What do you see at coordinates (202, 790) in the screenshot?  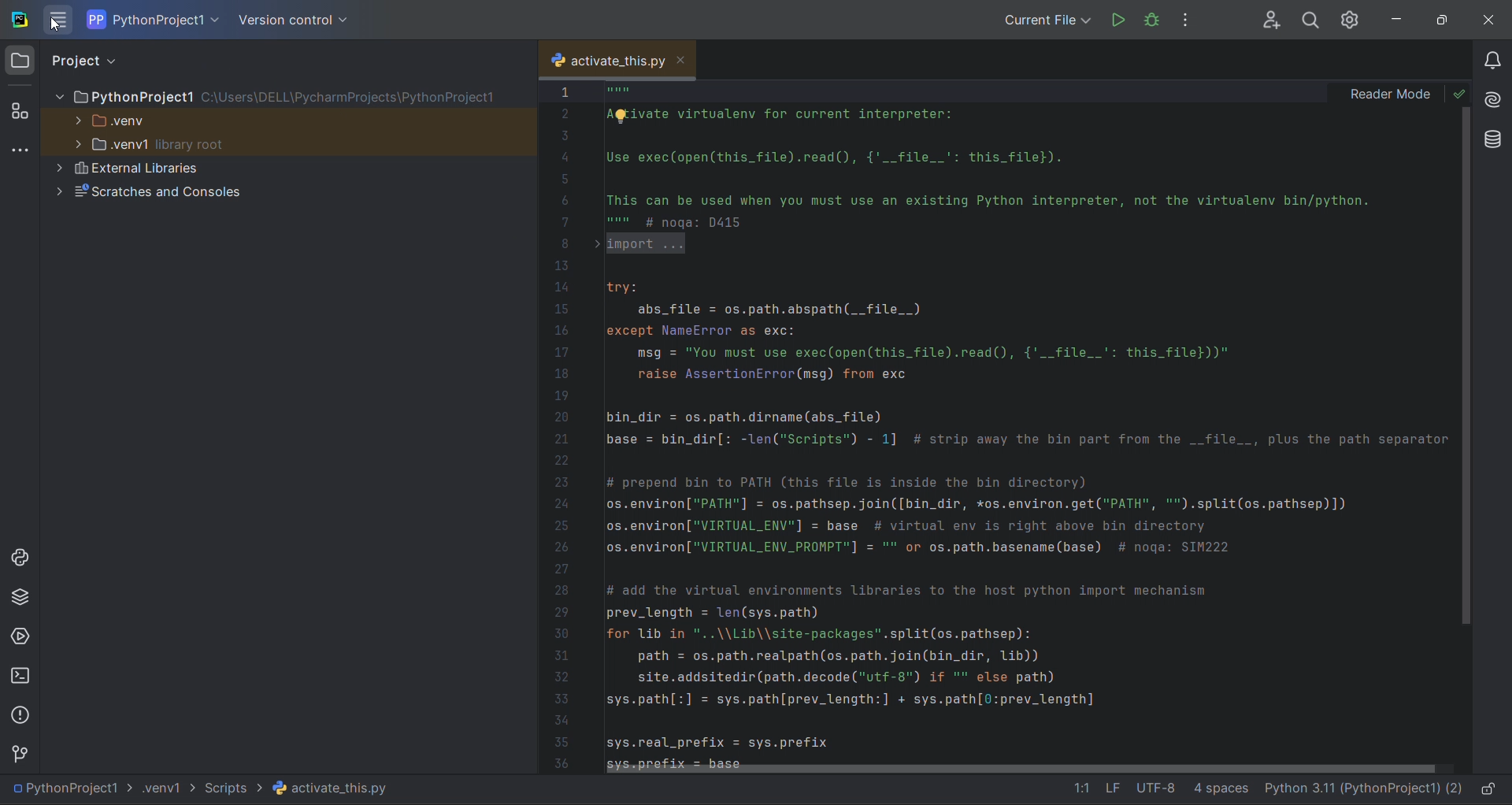 I see `file path` at bounding box center [202, 790].